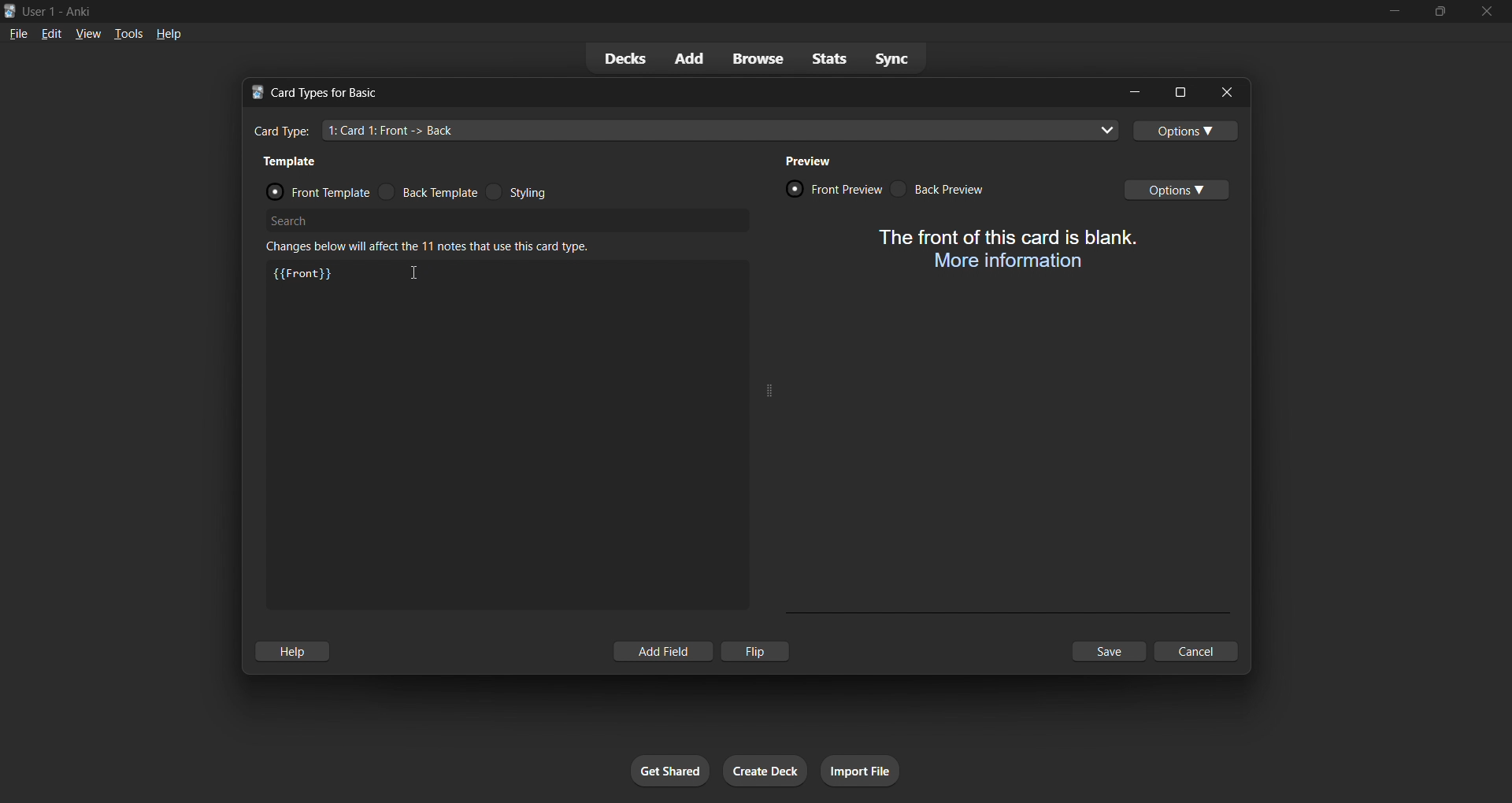  Describe the element at coordinates (1184, 189) in the screenshot. I see `options toggle` at that location.